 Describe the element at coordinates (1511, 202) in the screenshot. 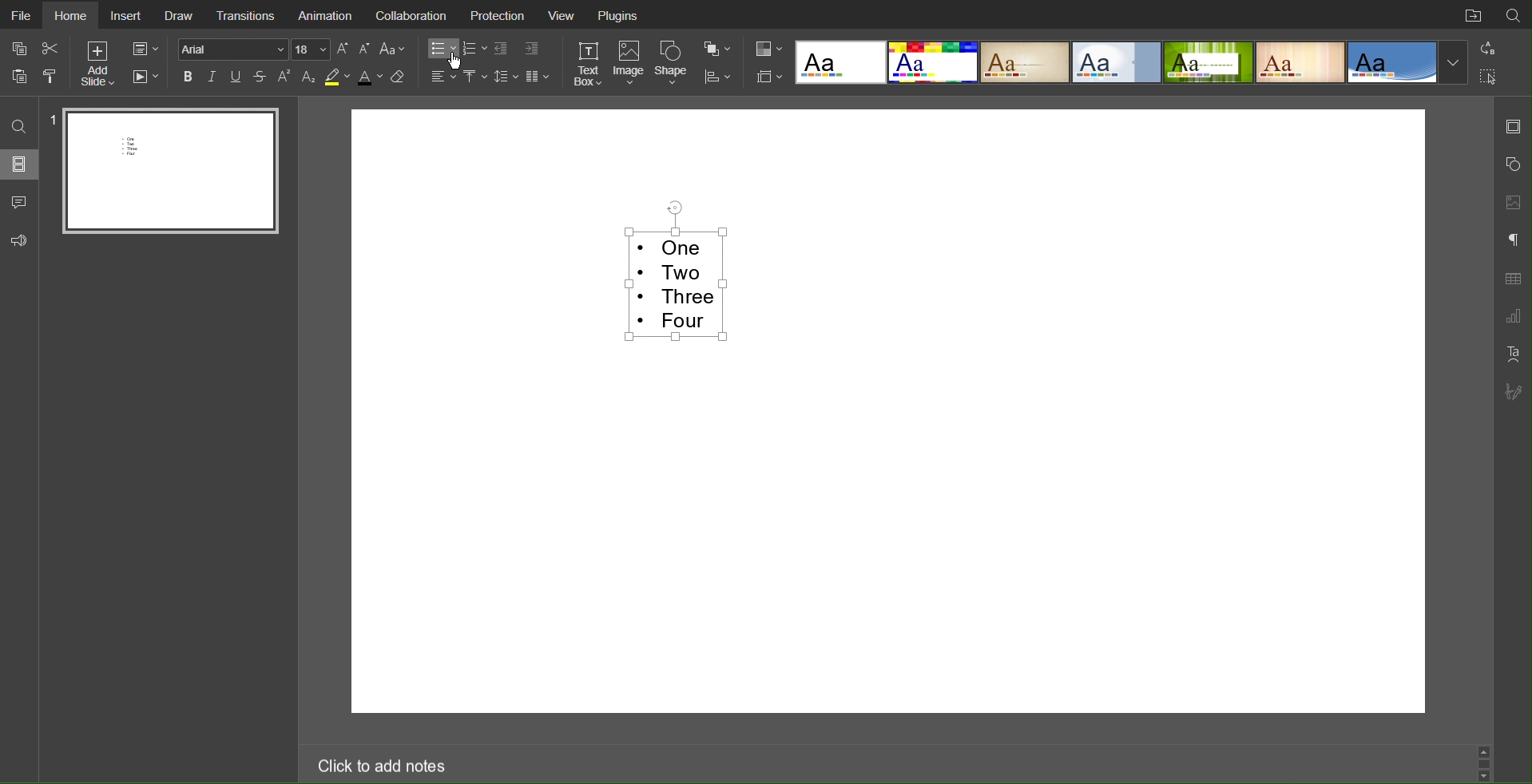

I see `Image Settings` at that location.